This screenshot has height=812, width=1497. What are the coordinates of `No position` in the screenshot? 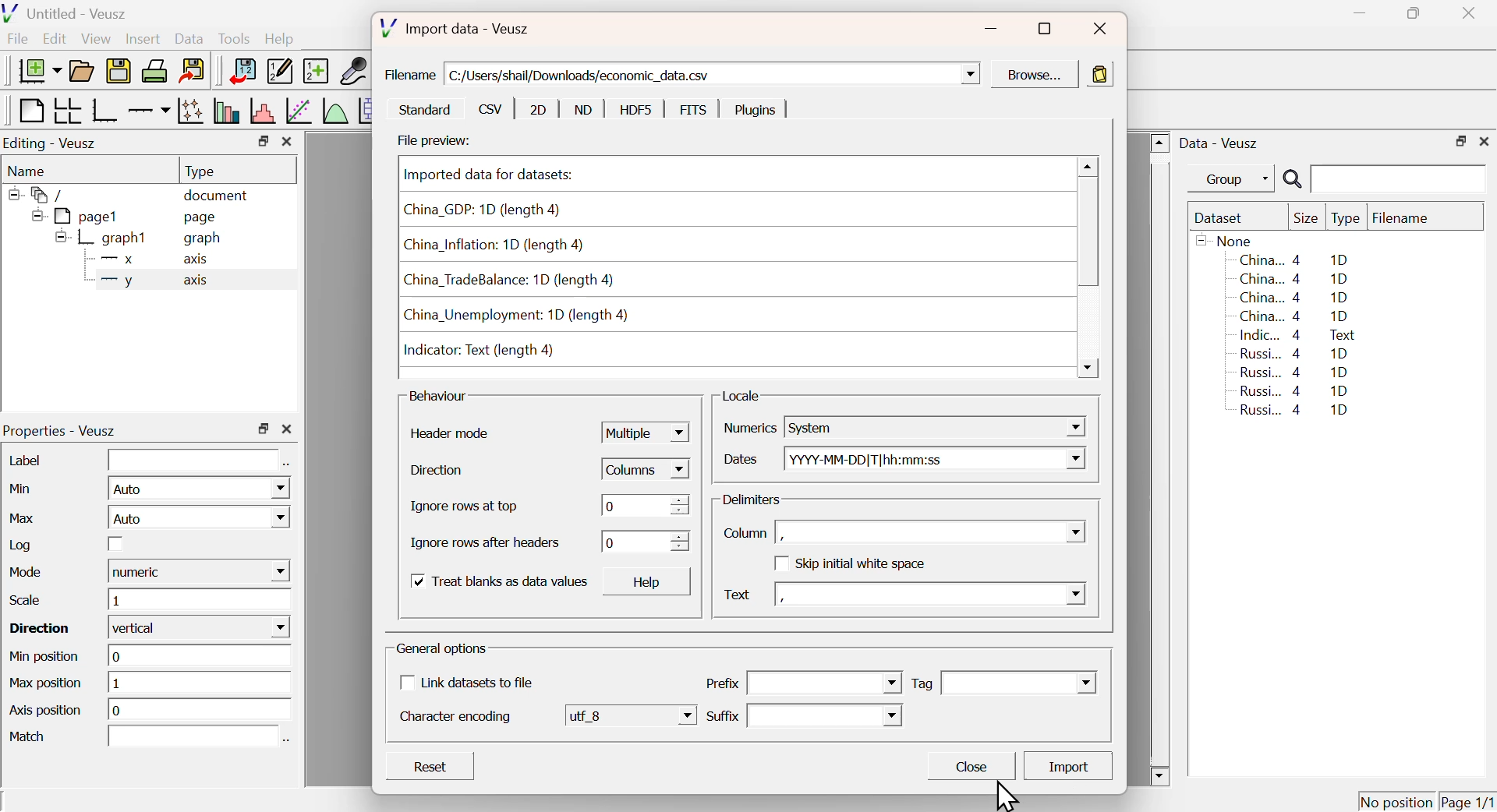 It's located at (1396, 800).